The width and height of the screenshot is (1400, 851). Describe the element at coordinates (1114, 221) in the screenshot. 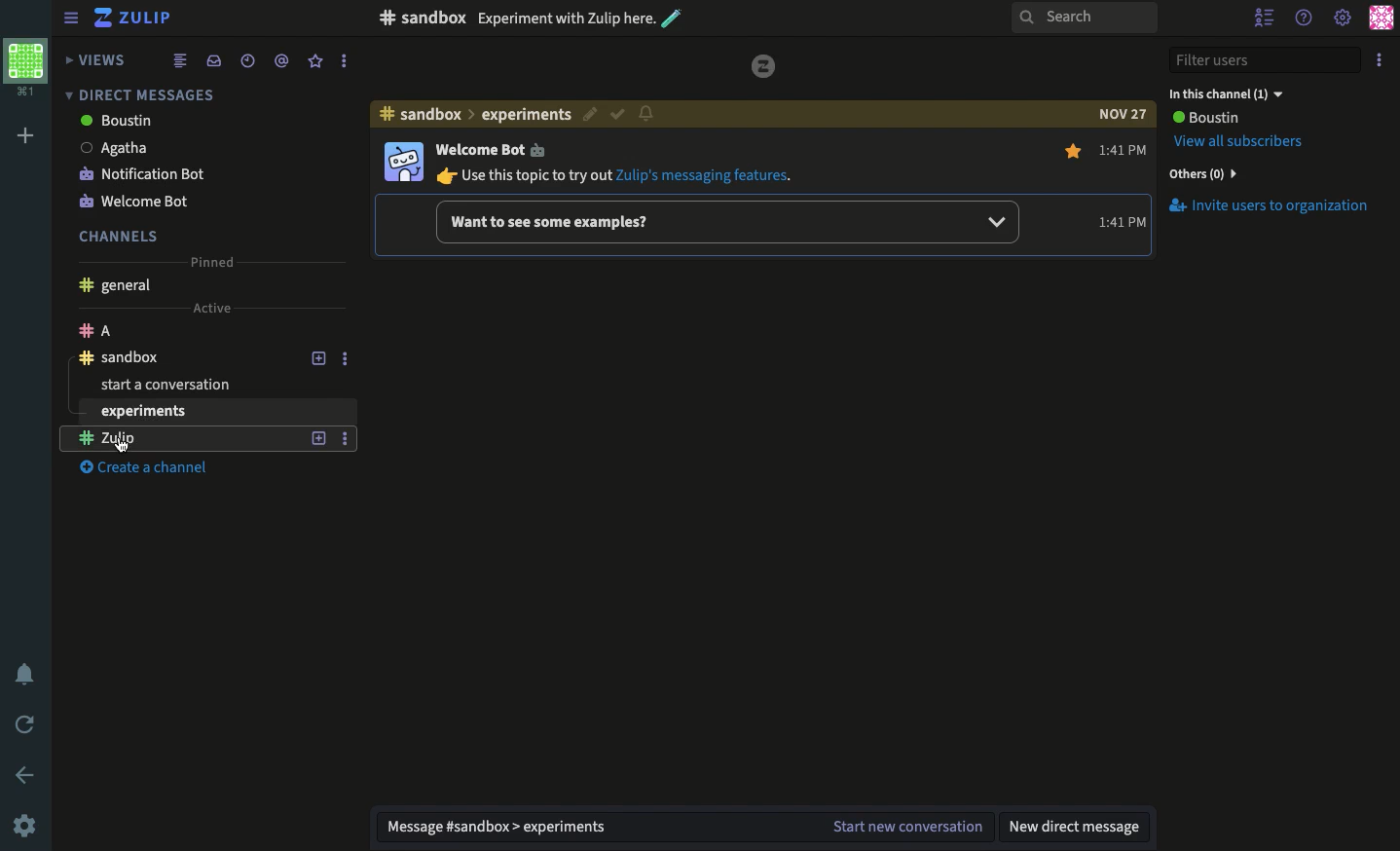

I see `time` at that location.